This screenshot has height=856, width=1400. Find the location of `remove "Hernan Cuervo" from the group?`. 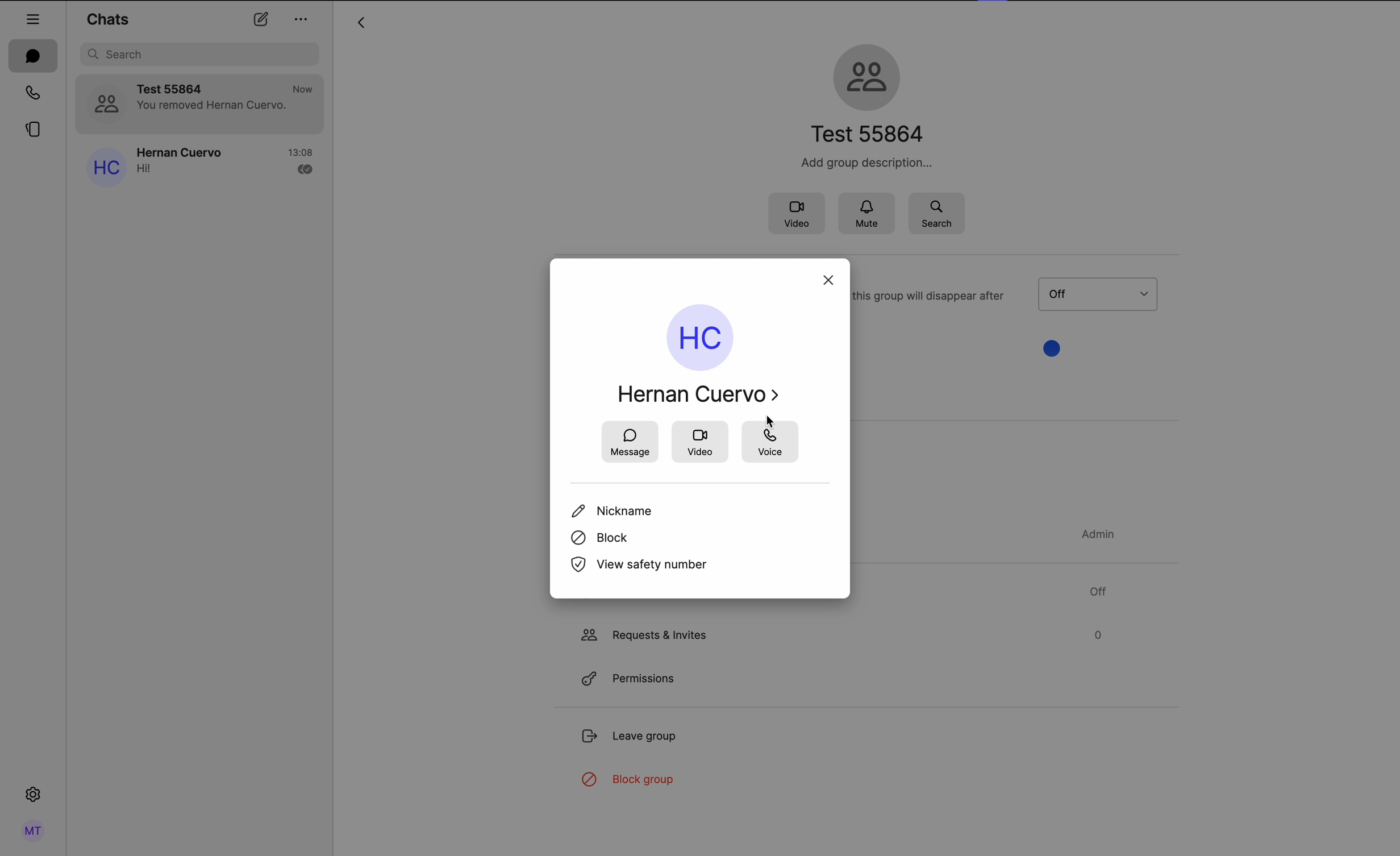

remove "Hernan Cuervo" from the group? is located at coordinates (681, 397).